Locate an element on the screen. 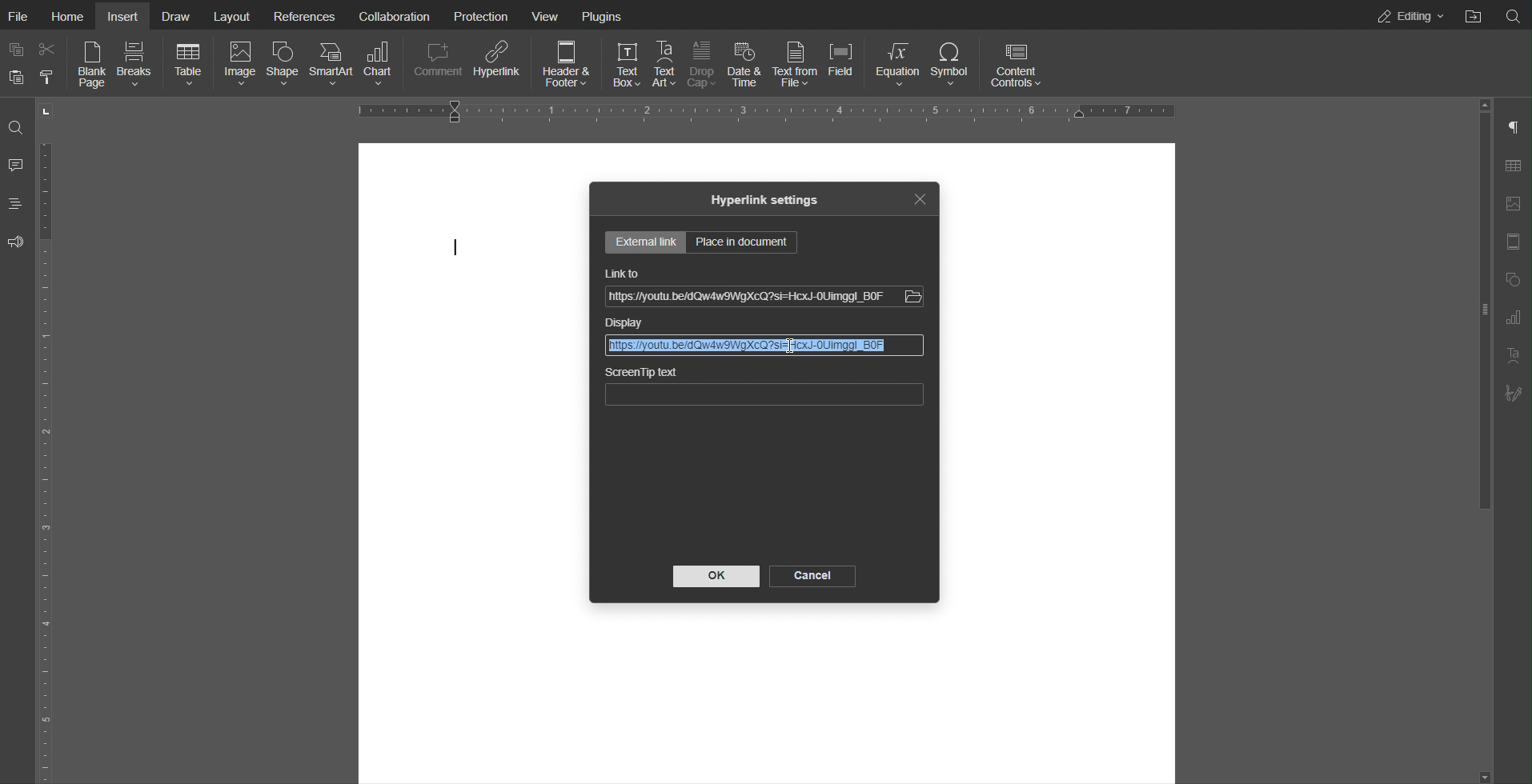 The image size is (1532, 784). ScreenTip text is located at coordinates (641, 373).